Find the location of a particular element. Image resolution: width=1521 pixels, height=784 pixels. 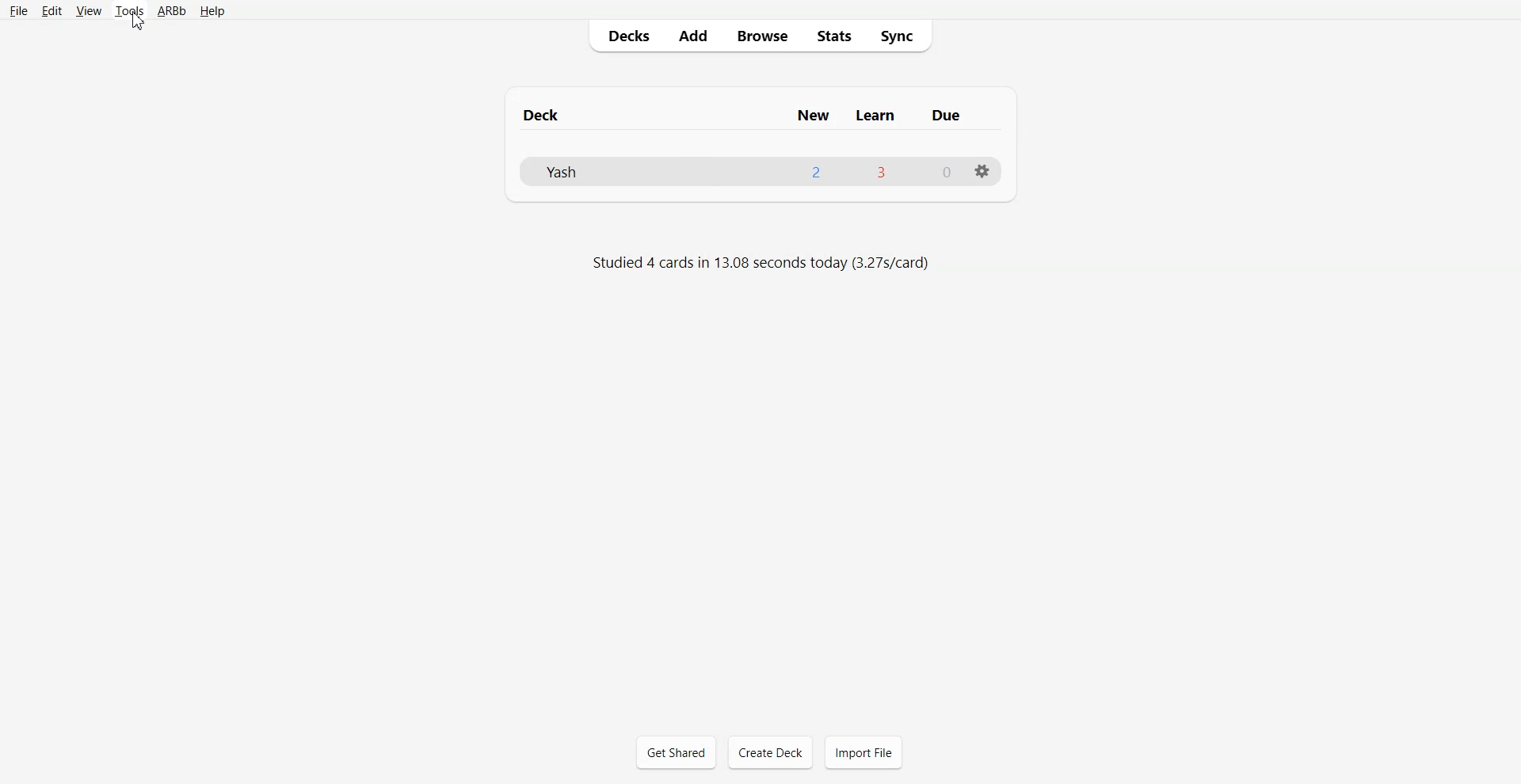

ARBb is located at coordinates (170, 12).